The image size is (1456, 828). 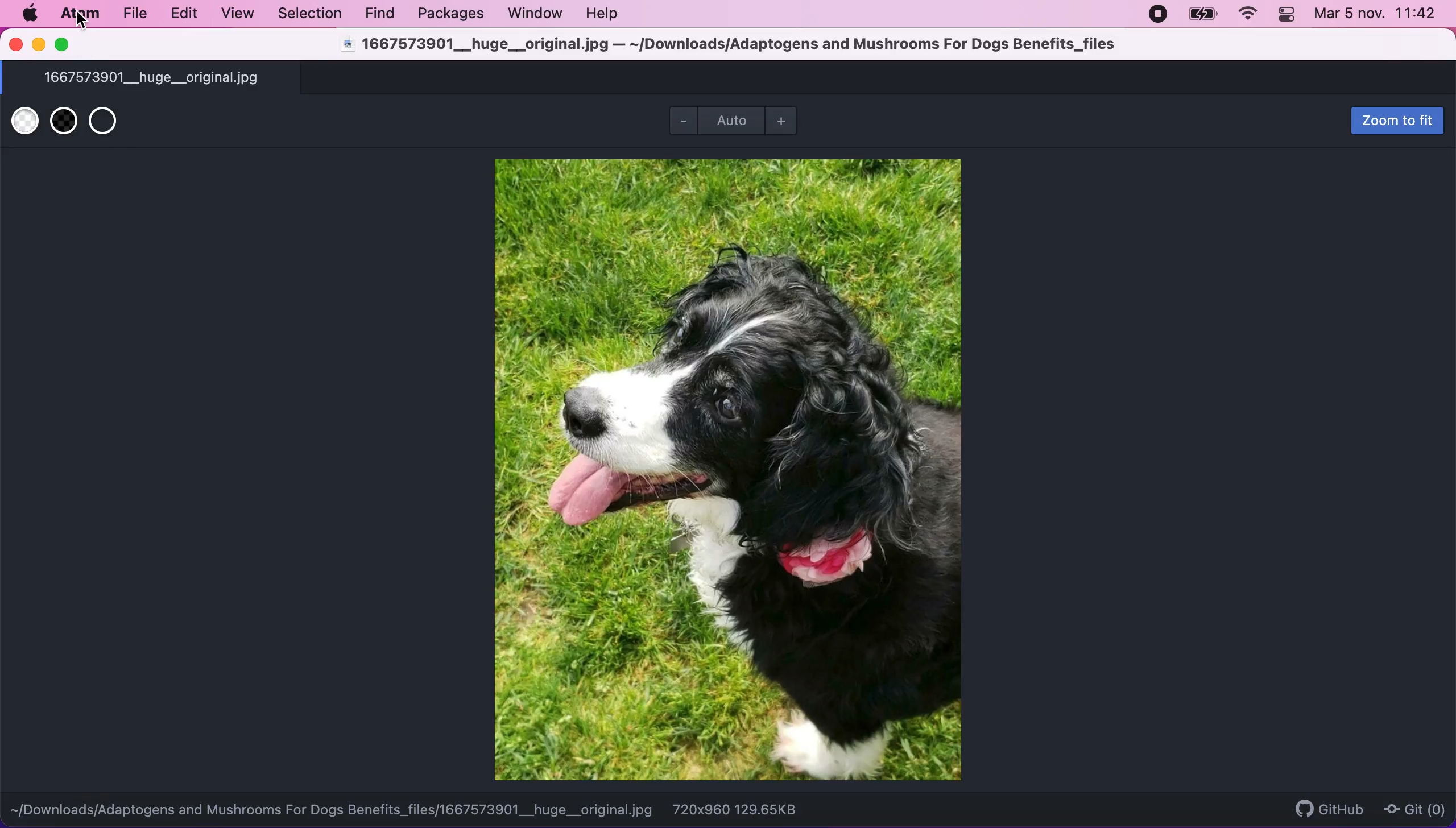 What do you see at coordinates (118, 122) in the screenshot?
I see `use transparent background` at bounding box center [118, 122].